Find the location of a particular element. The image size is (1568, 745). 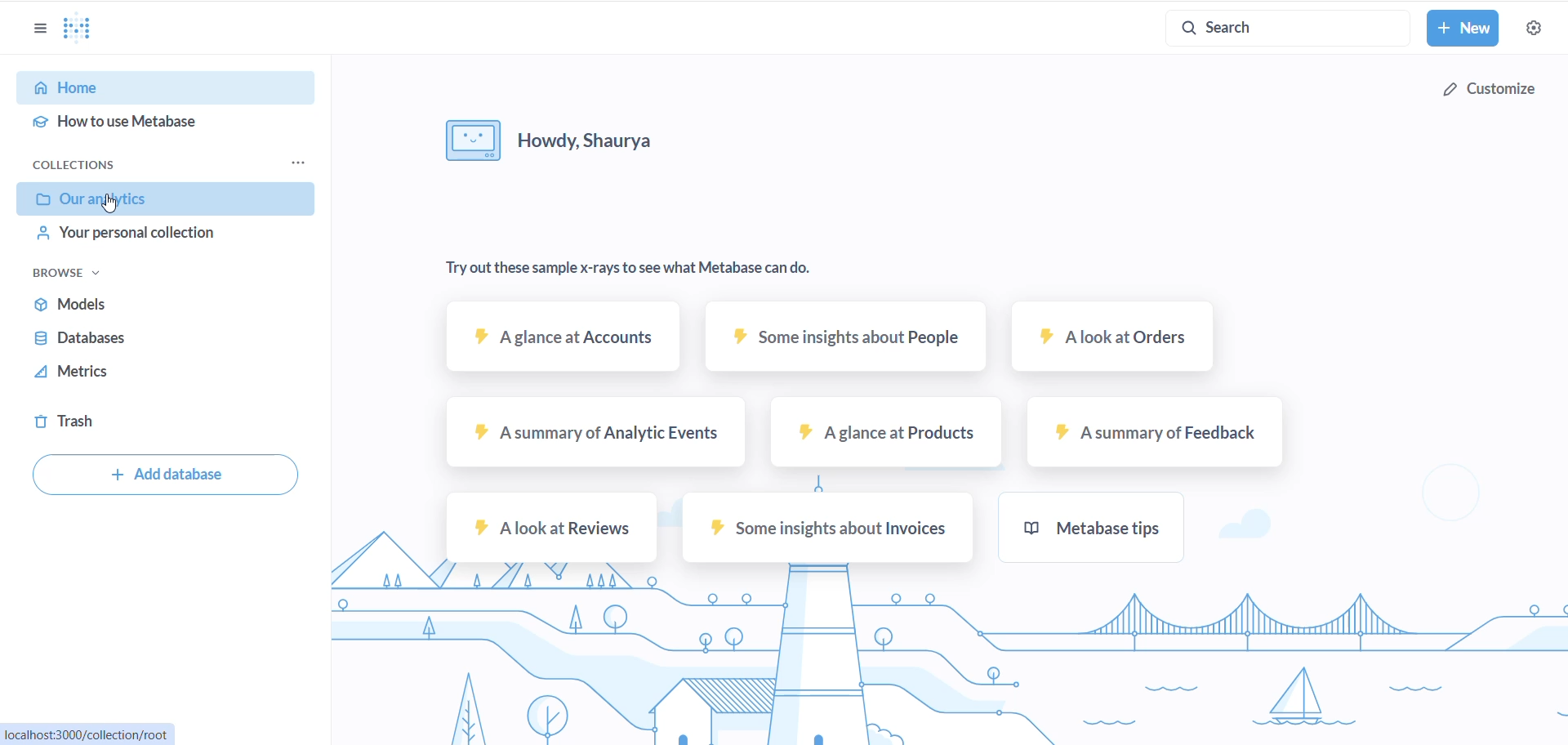

add database is located at coordinates (163, 474).